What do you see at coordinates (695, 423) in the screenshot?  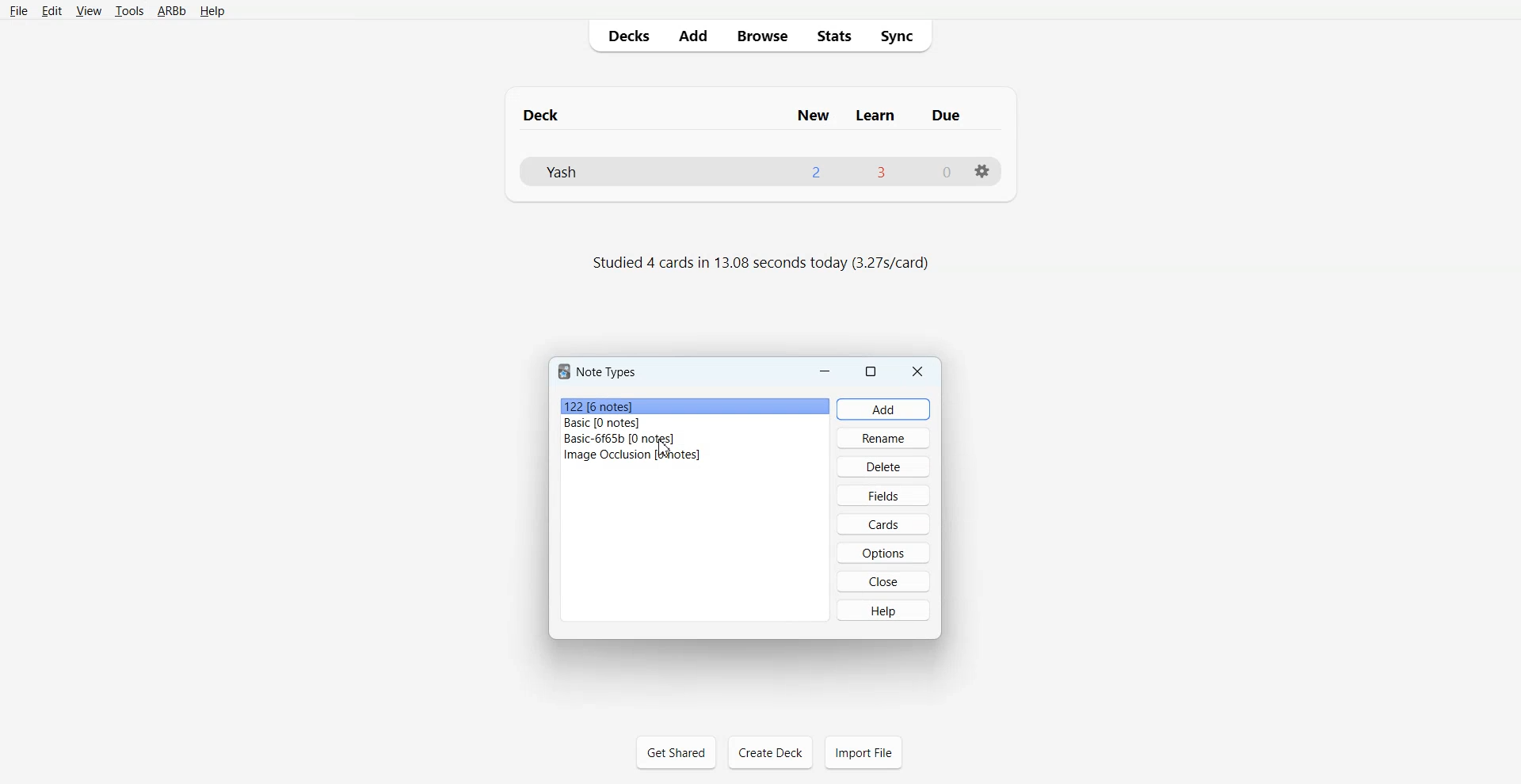 I see `Basic` at bounding box center [695, 423].